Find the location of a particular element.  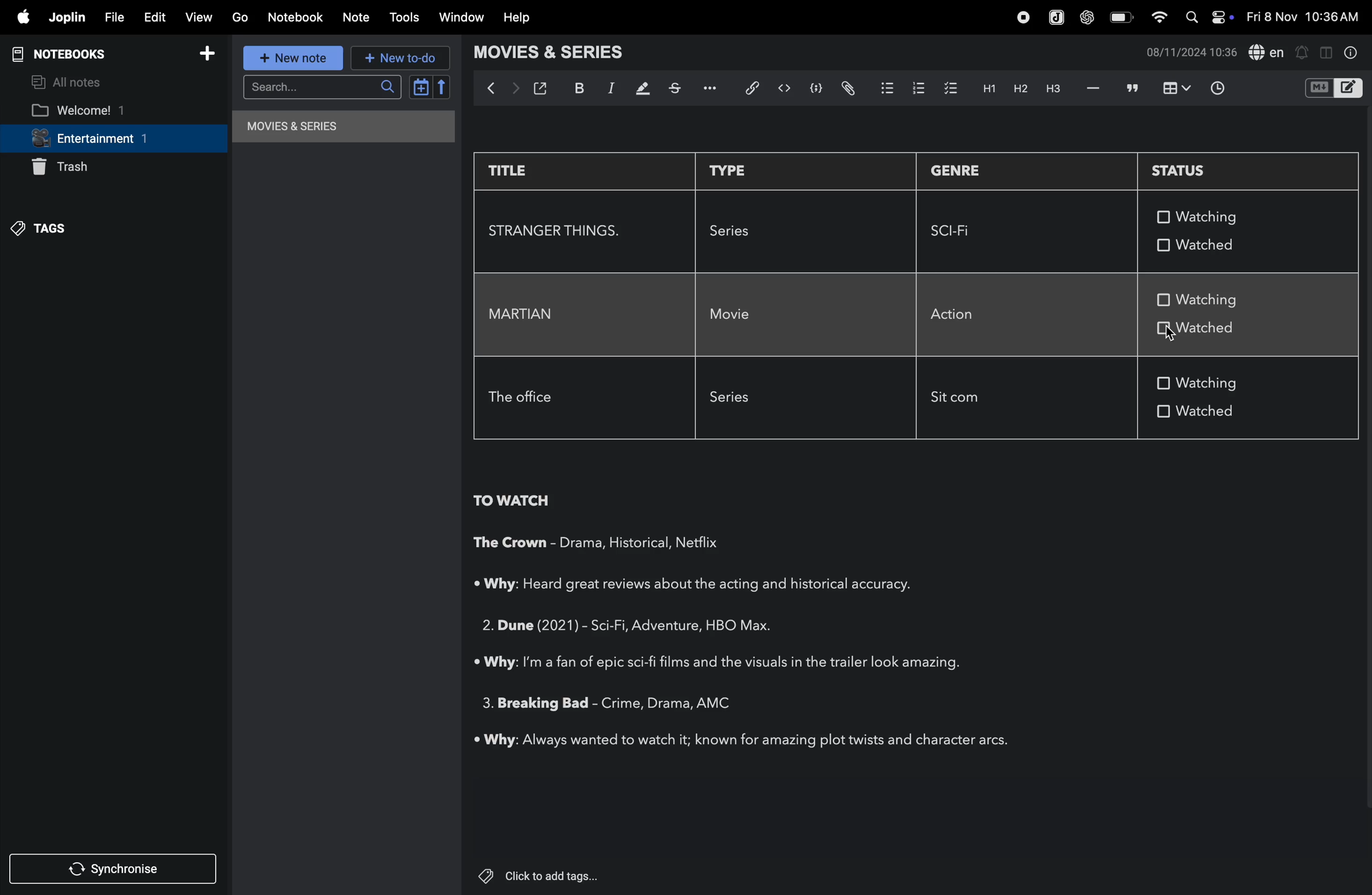

movies and series is located at coordinates (333, 129).